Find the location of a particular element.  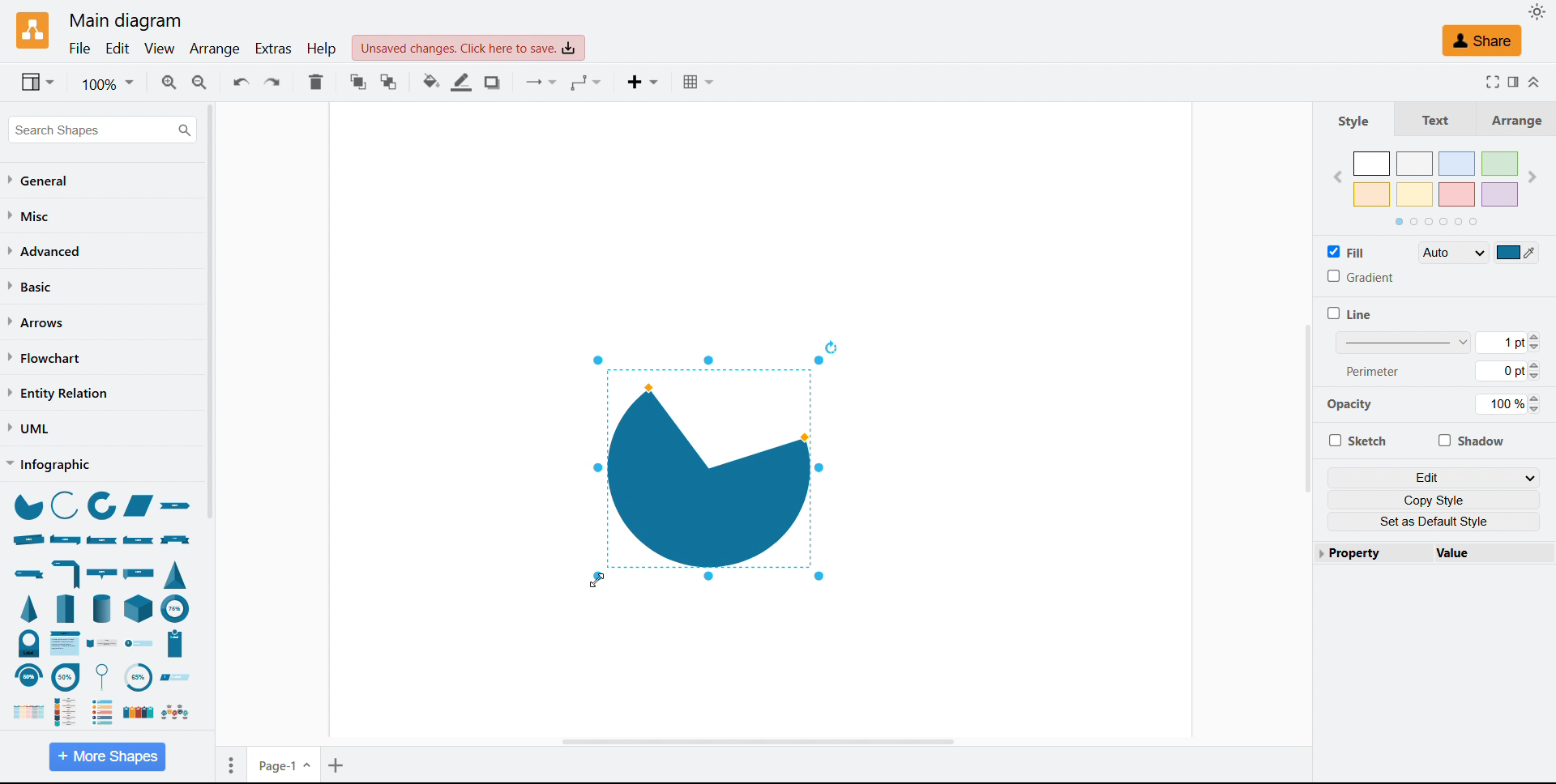

Title of the diagram  is located at coordinates (124, 21).